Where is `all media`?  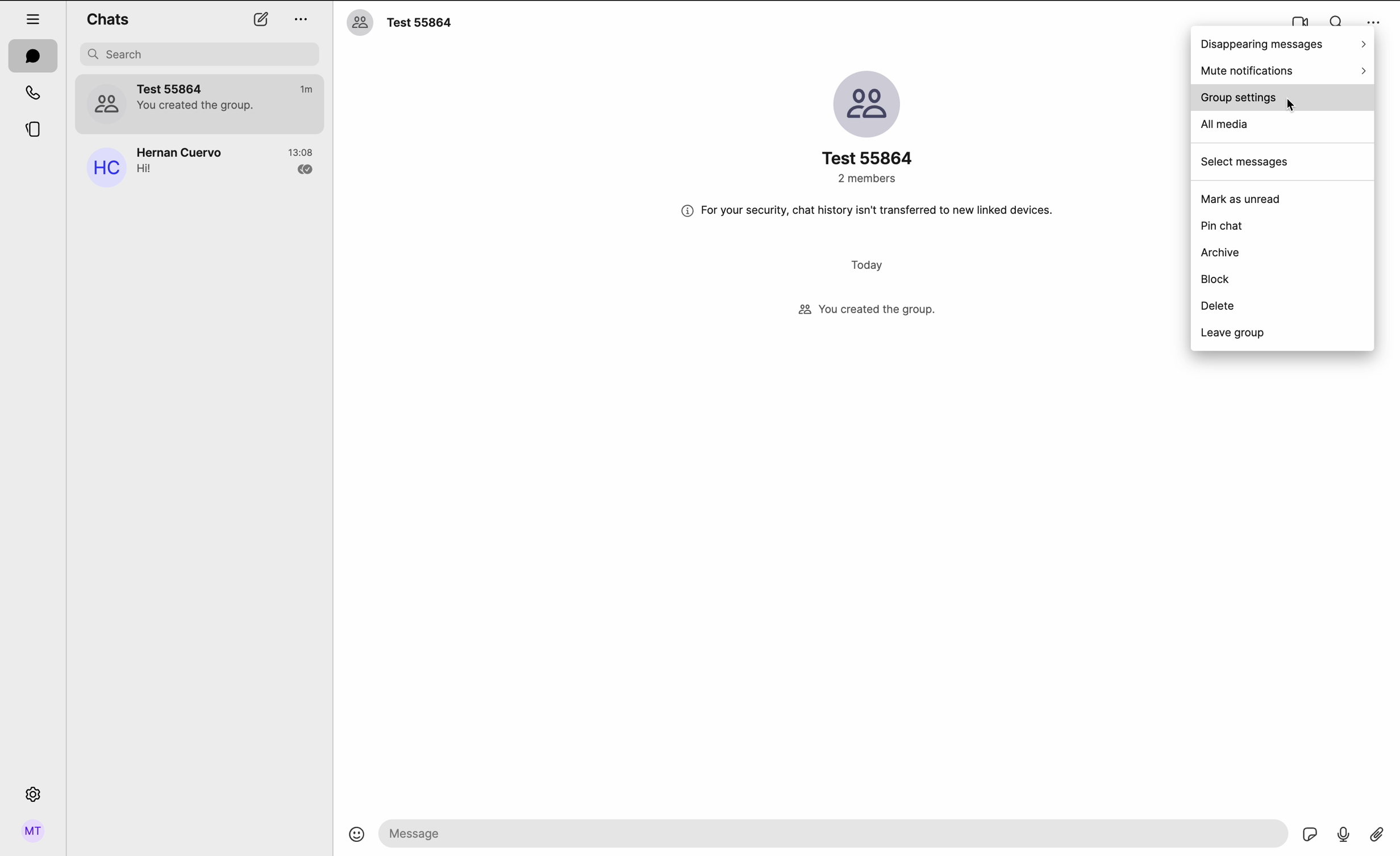 all media is located at coordinates (1226, 125).